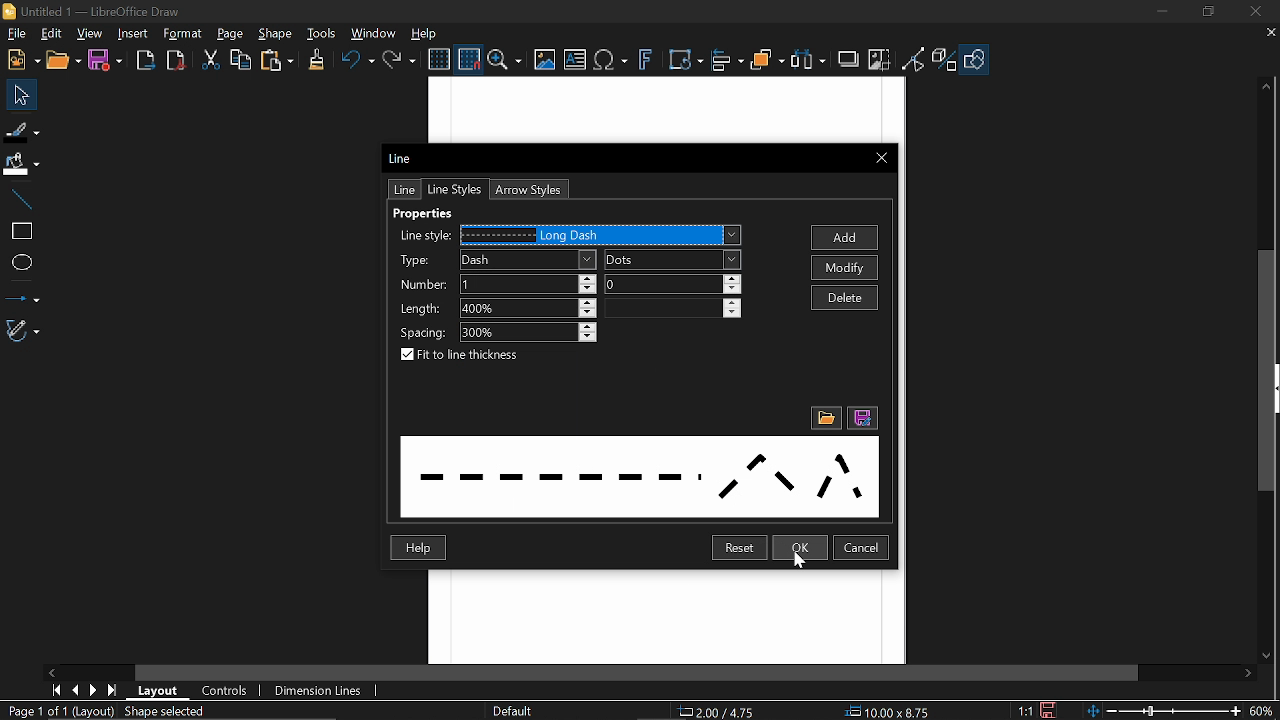  I want to click on Add, so click(846, 238).